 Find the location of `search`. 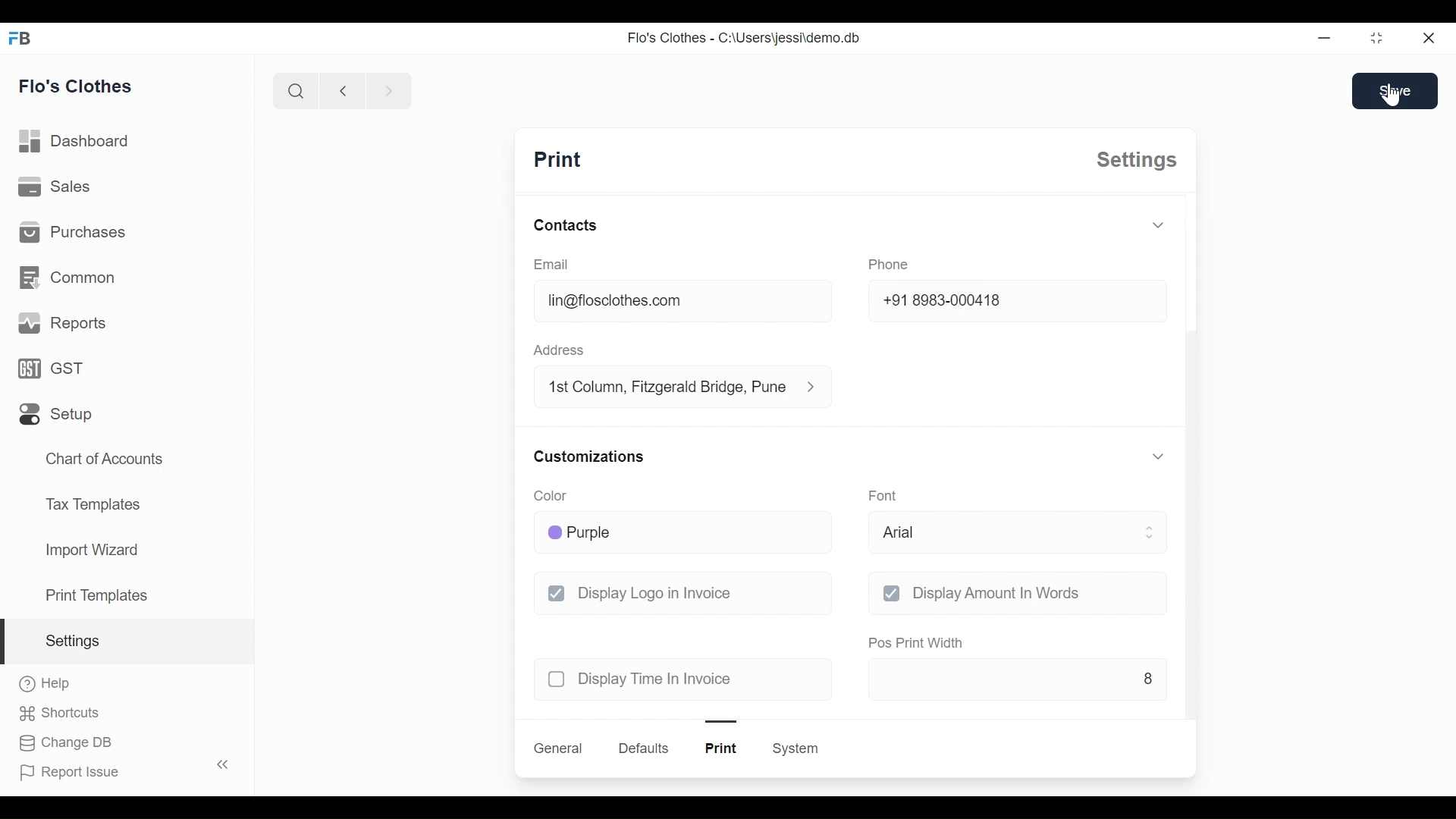

search is located at coordinates (295, 90).